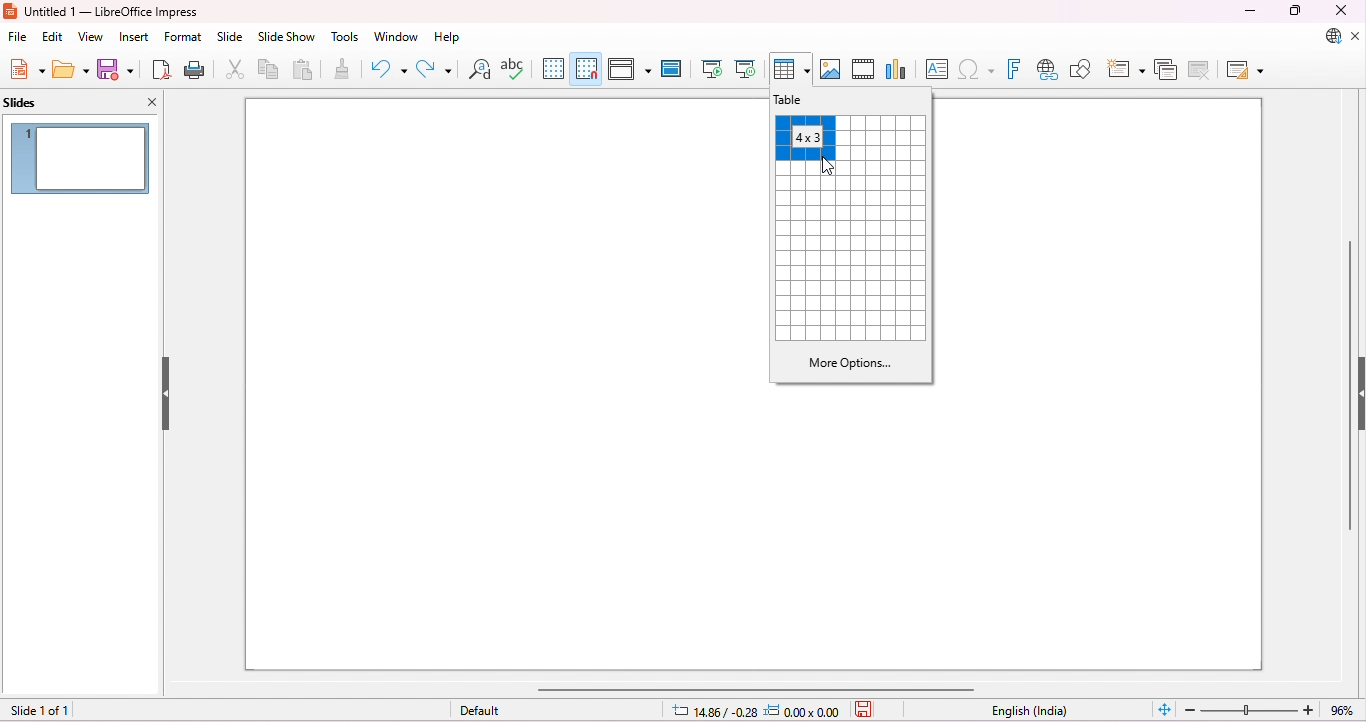 The image size is (1366, 722). What do you see at coordinates (1294, 11) in the screenshot?
I see `maximize` at bounding box center [1294, 11].